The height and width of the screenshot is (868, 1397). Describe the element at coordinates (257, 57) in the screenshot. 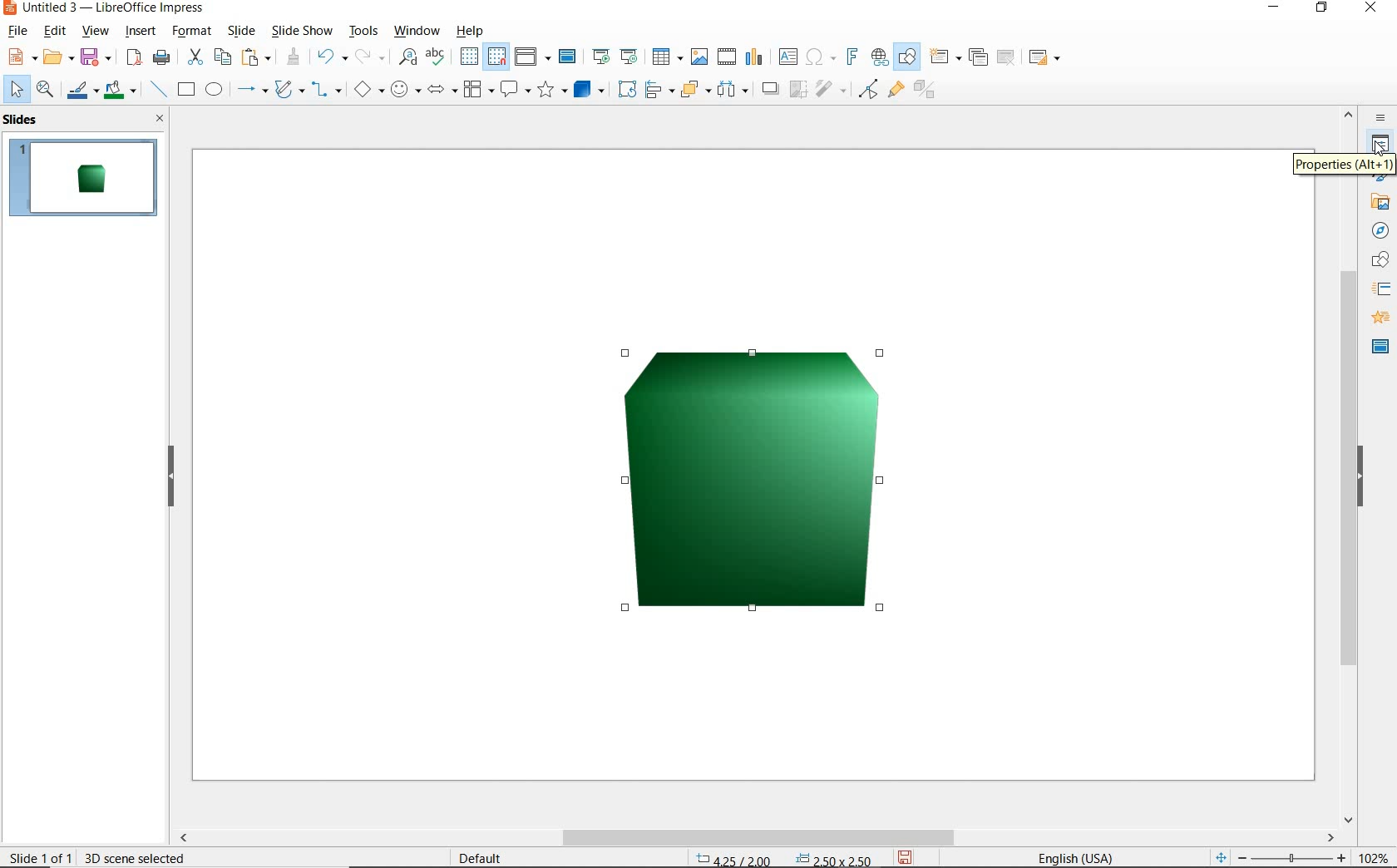

I see `paste` at that location.